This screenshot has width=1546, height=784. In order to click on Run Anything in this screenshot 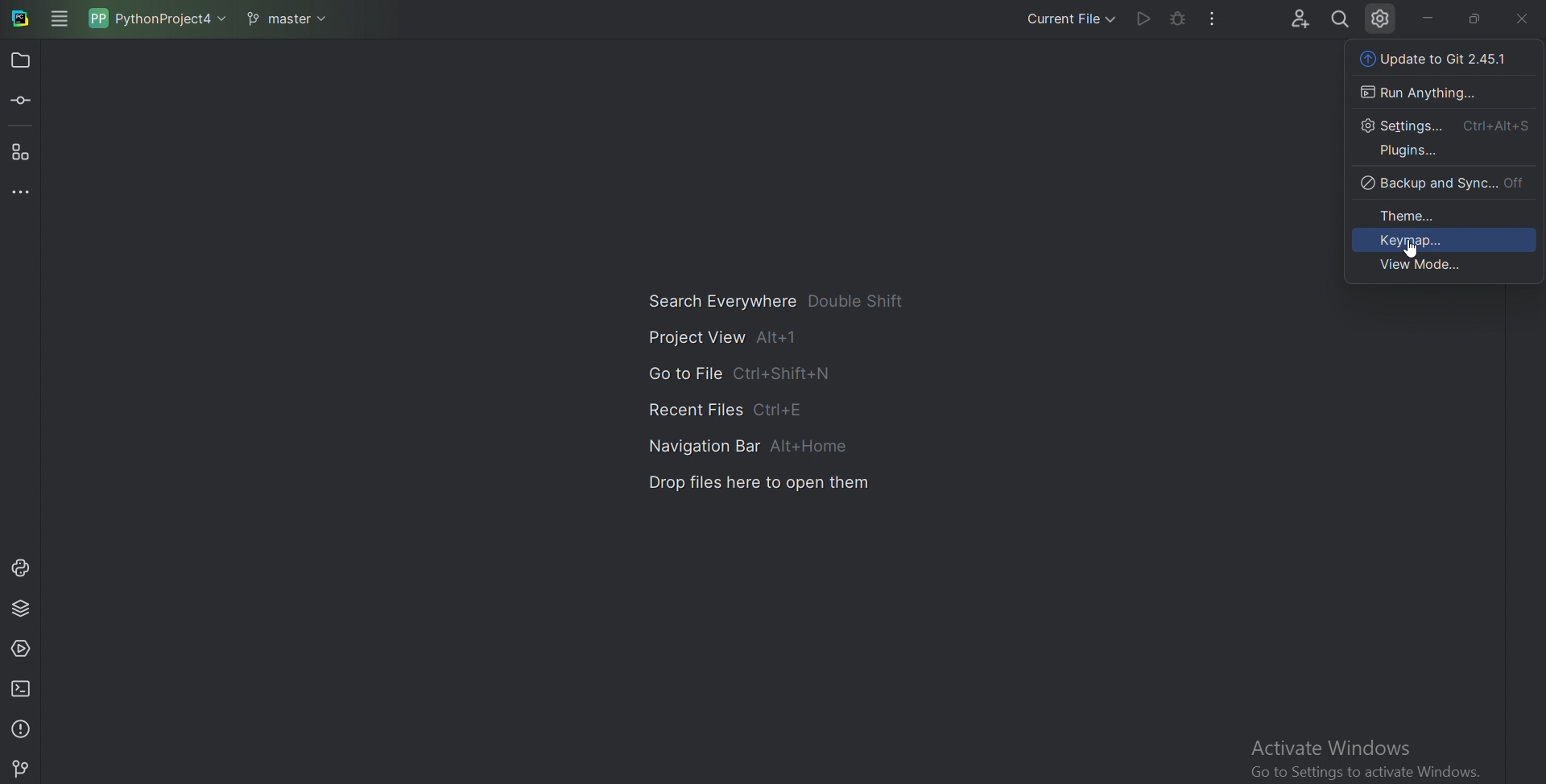, I will do `click(1419, 95)`.